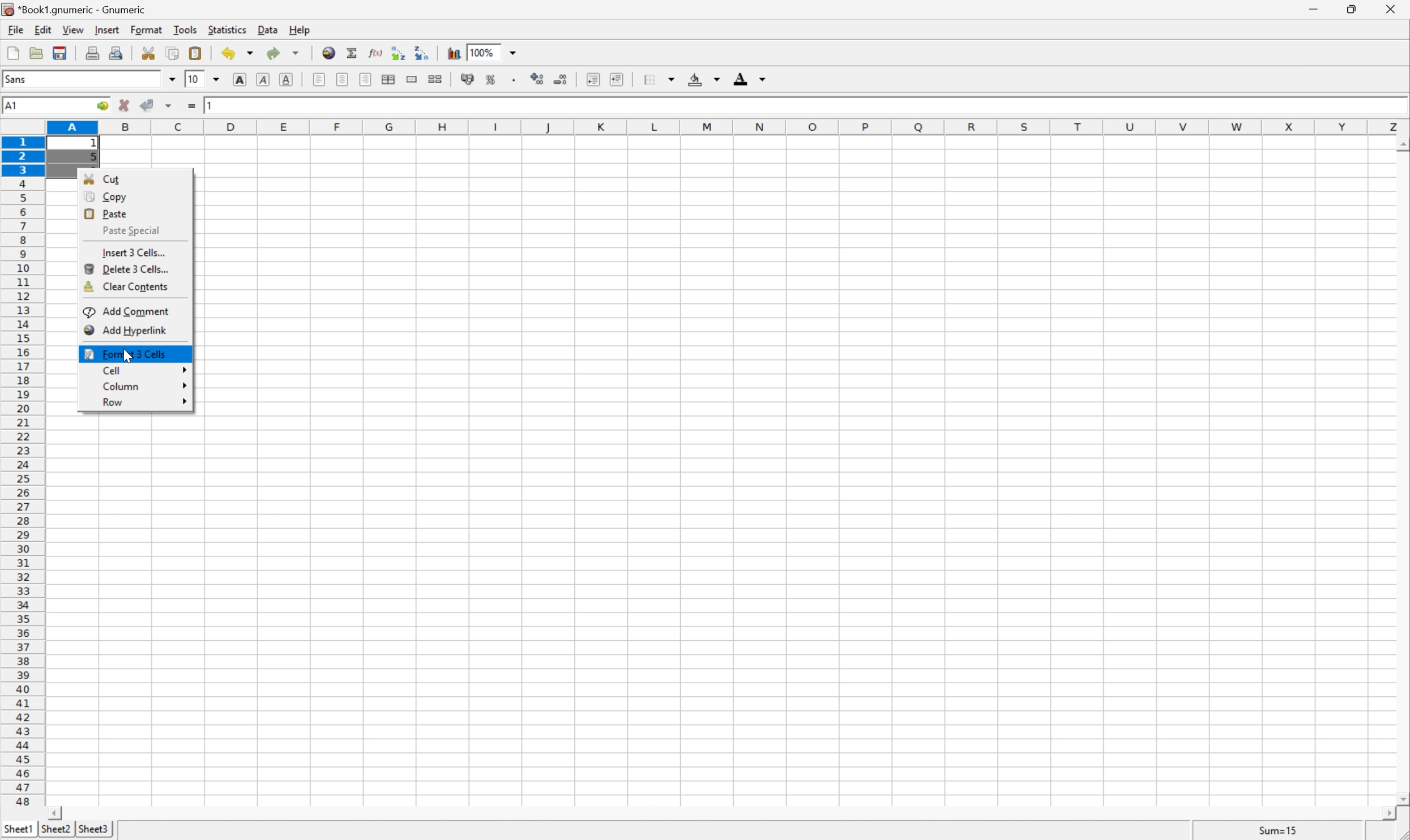  I want to click on 1, so click(96, 144).